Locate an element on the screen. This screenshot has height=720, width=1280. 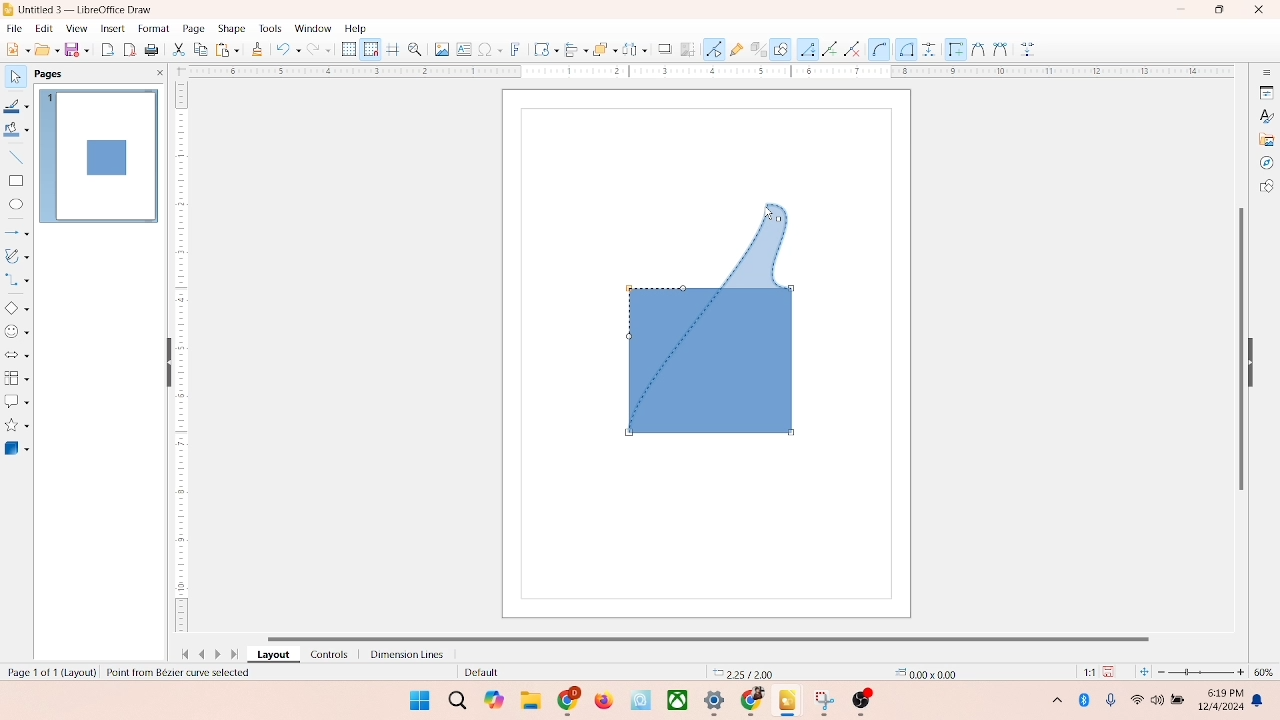
previous page is located at coordinates (202, 654).